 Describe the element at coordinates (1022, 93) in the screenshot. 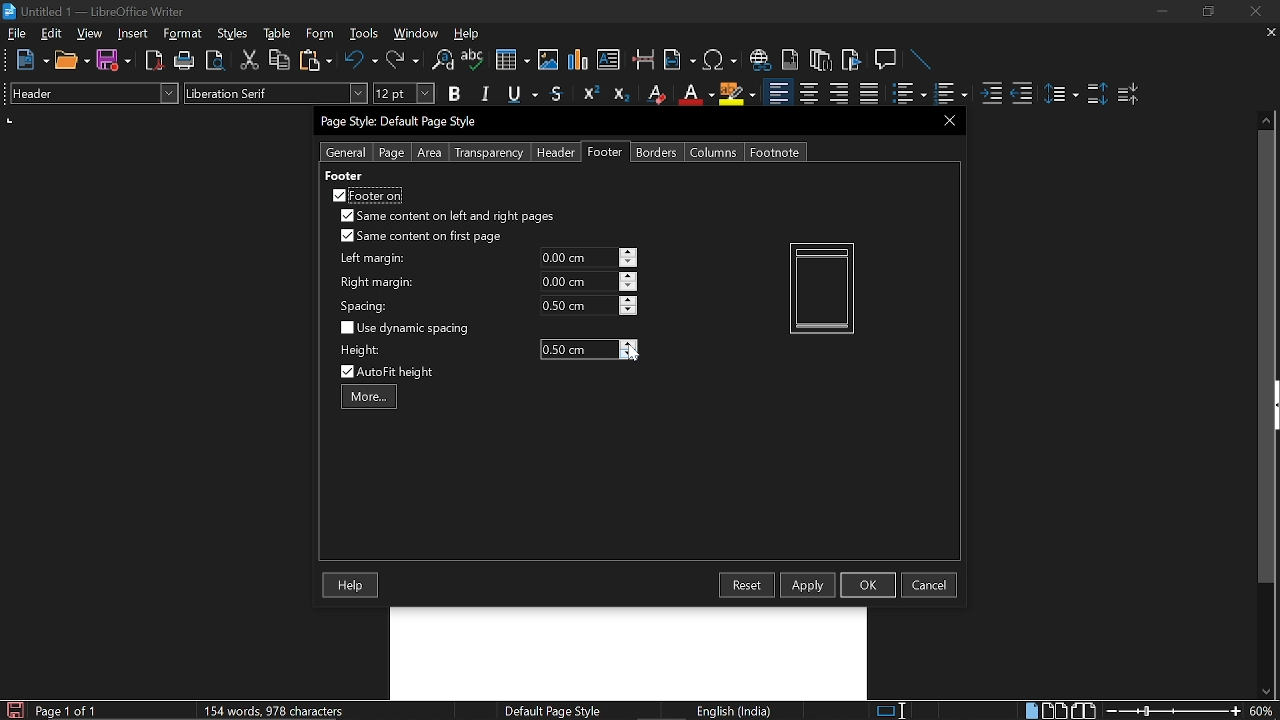

I see `Decrease indent` at that location.